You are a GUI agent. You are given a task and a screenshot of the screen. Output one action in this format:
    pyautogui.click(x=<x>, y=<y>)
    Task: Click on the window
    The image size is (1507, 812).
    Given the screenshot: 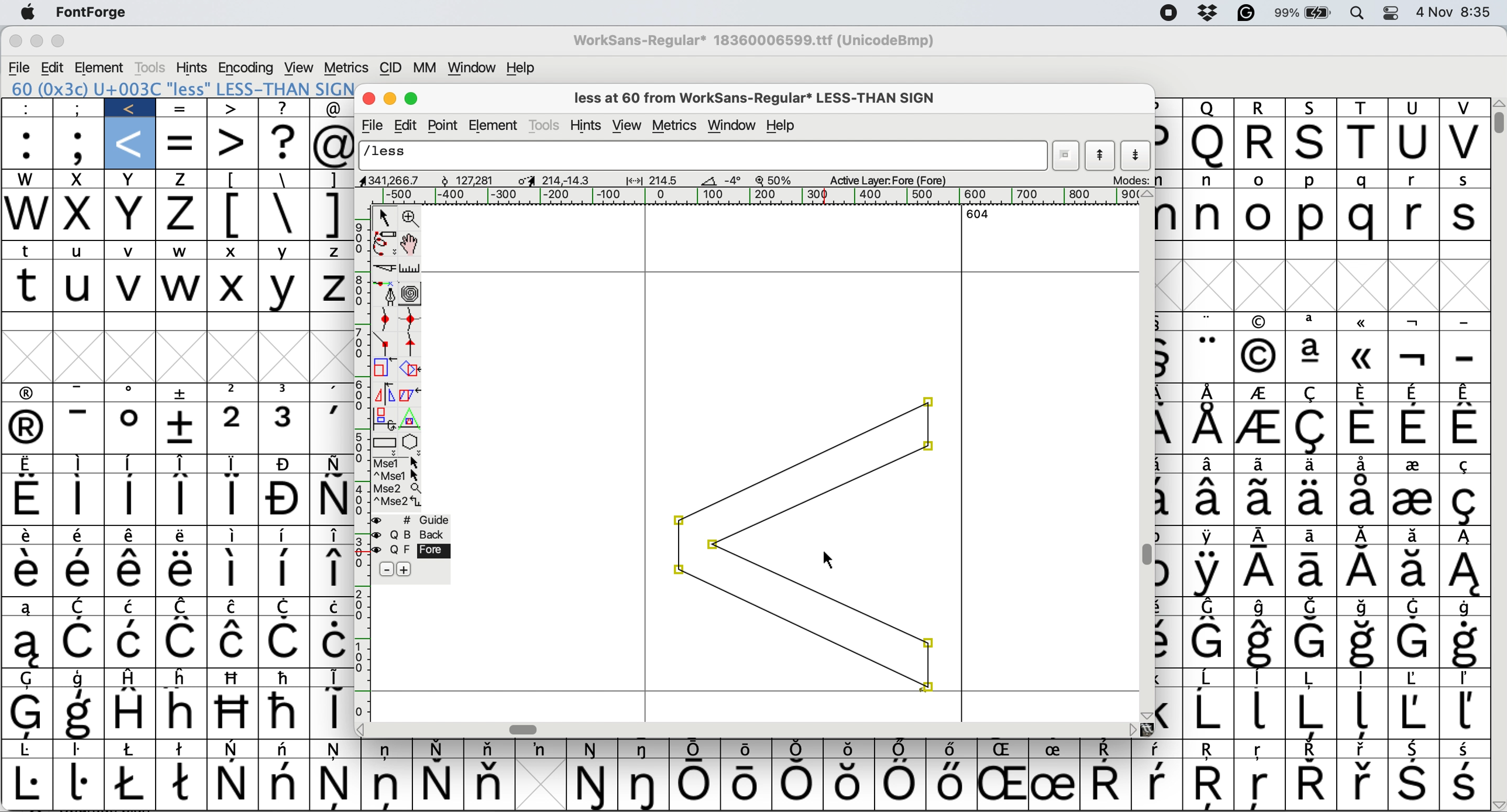 What is the action you would take?
    pyautogui.click(x=732, y=126)
    